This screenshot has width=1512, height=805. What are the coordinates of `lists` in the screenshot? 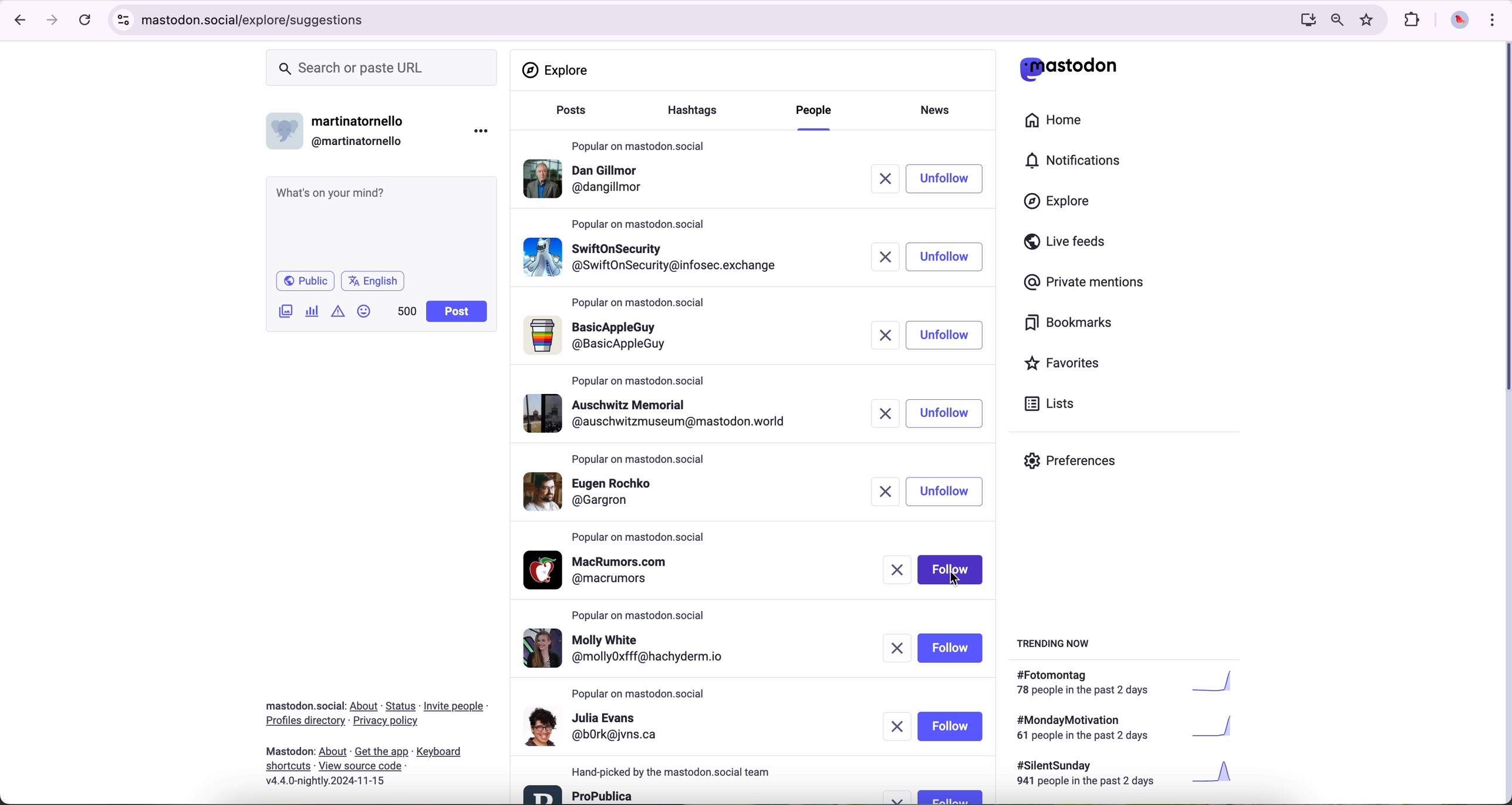 It's located at (1045, 403).